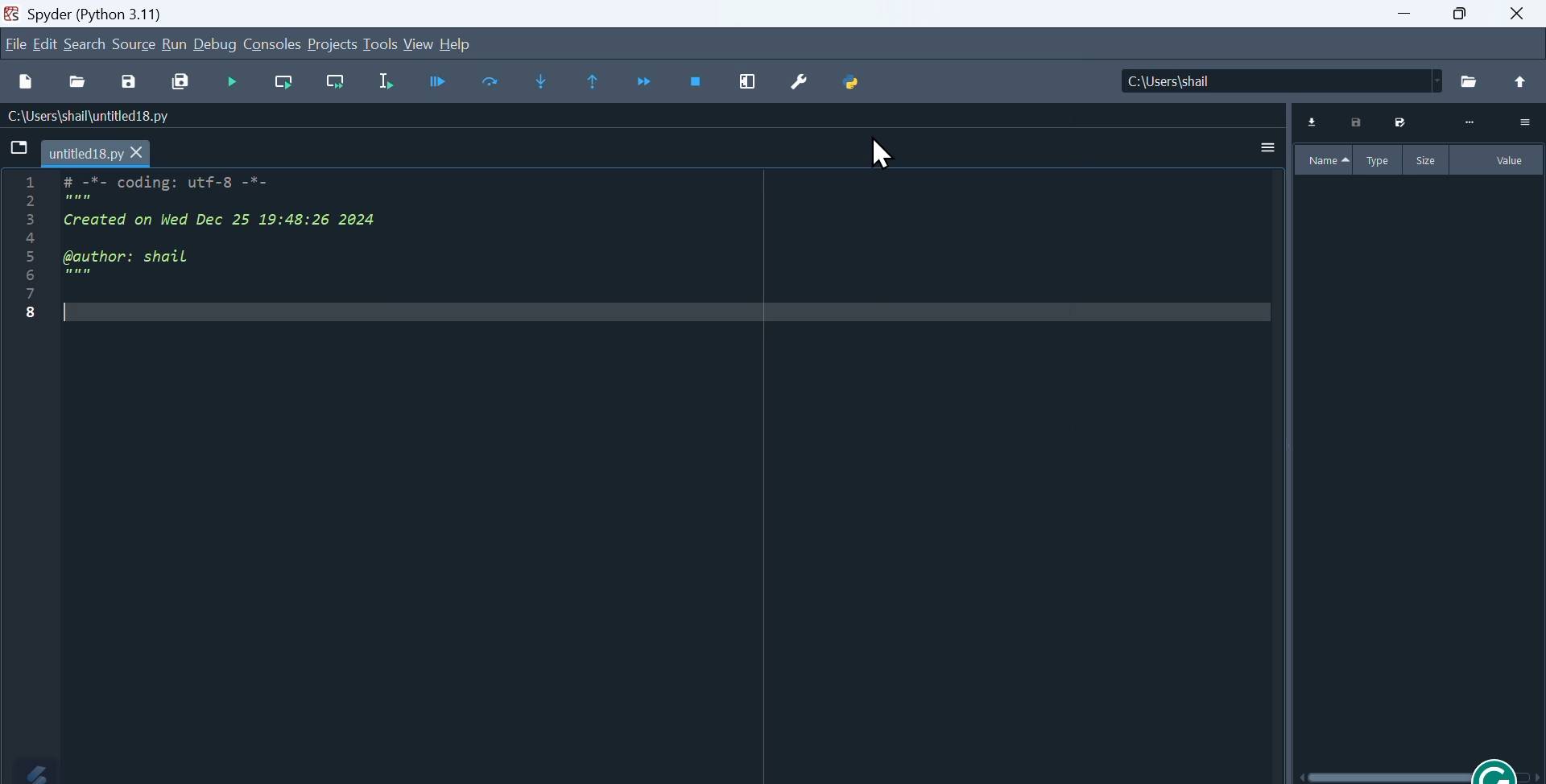 The height and width of the screenshot is (784, 1546). Describe the element at coordinates (96, 152) in the screenshot. I see `untitled18.py` at that location.